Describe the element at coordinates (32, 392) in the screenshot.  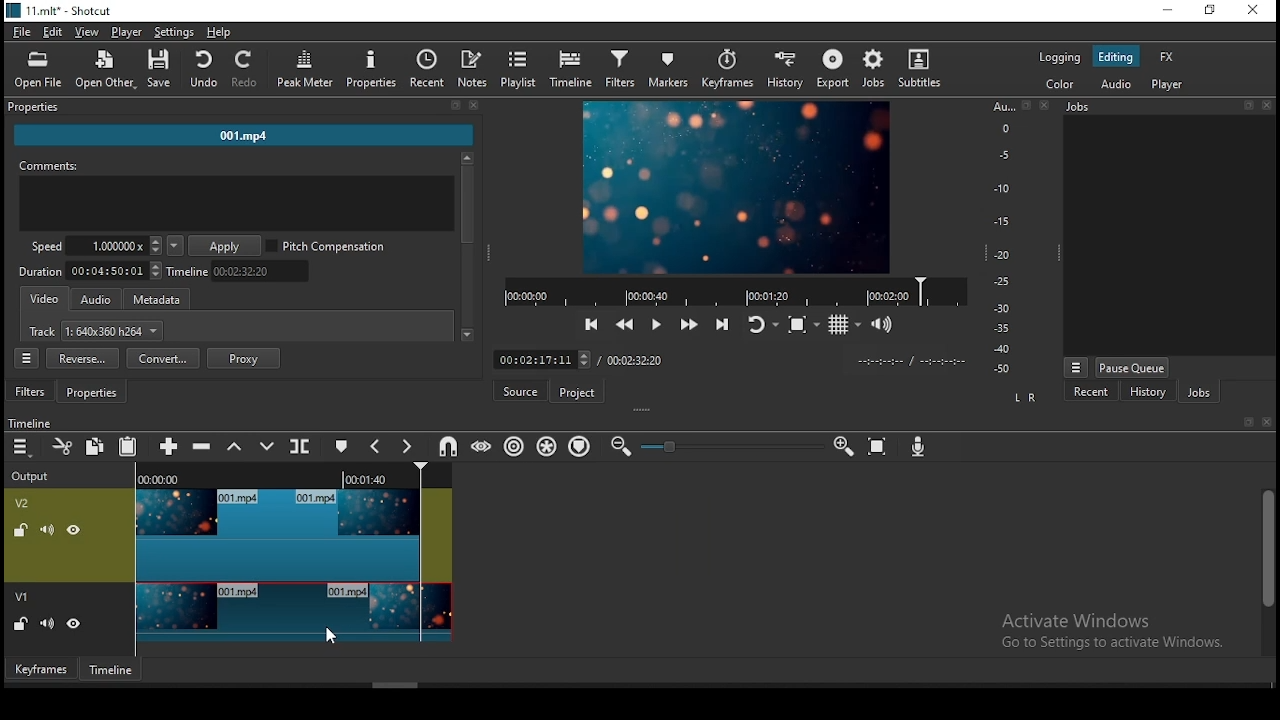
I see `filters` at that location.